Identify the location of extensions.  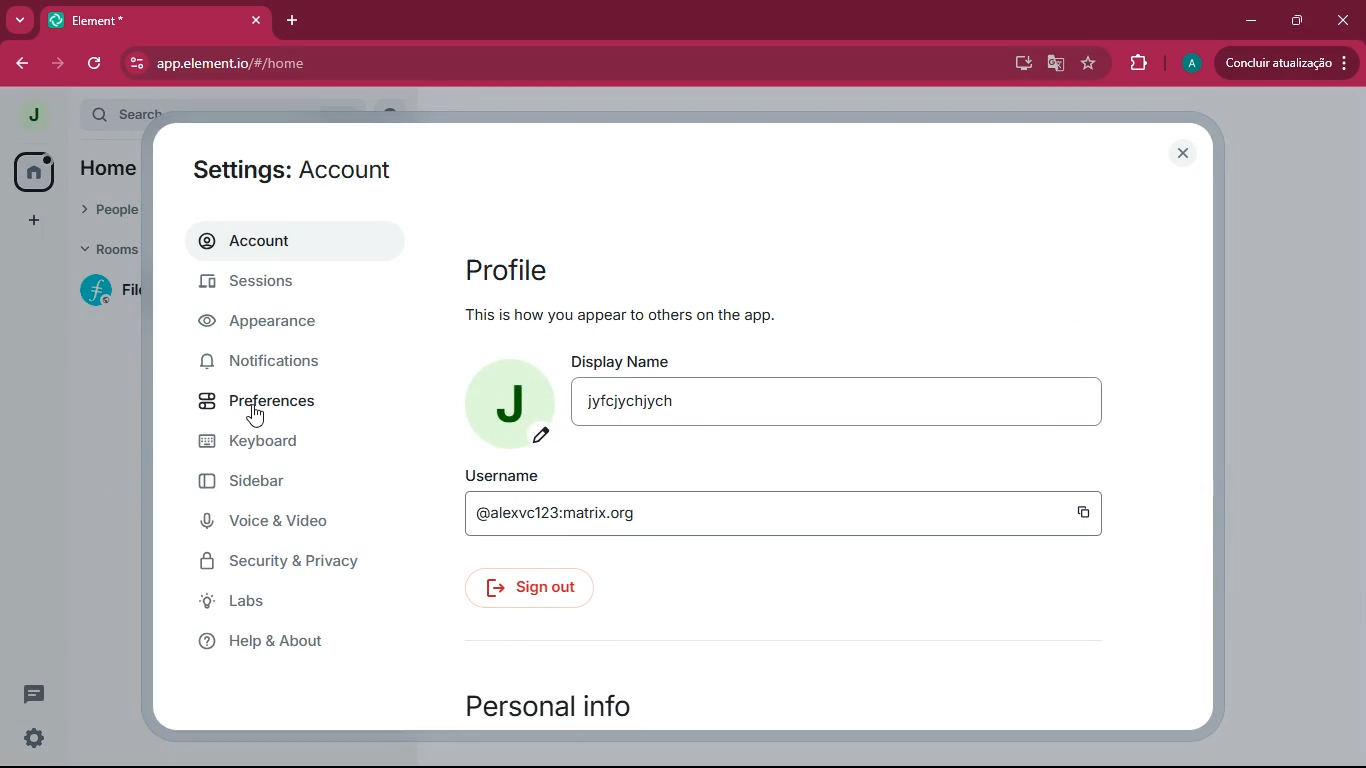
(1134, 64).